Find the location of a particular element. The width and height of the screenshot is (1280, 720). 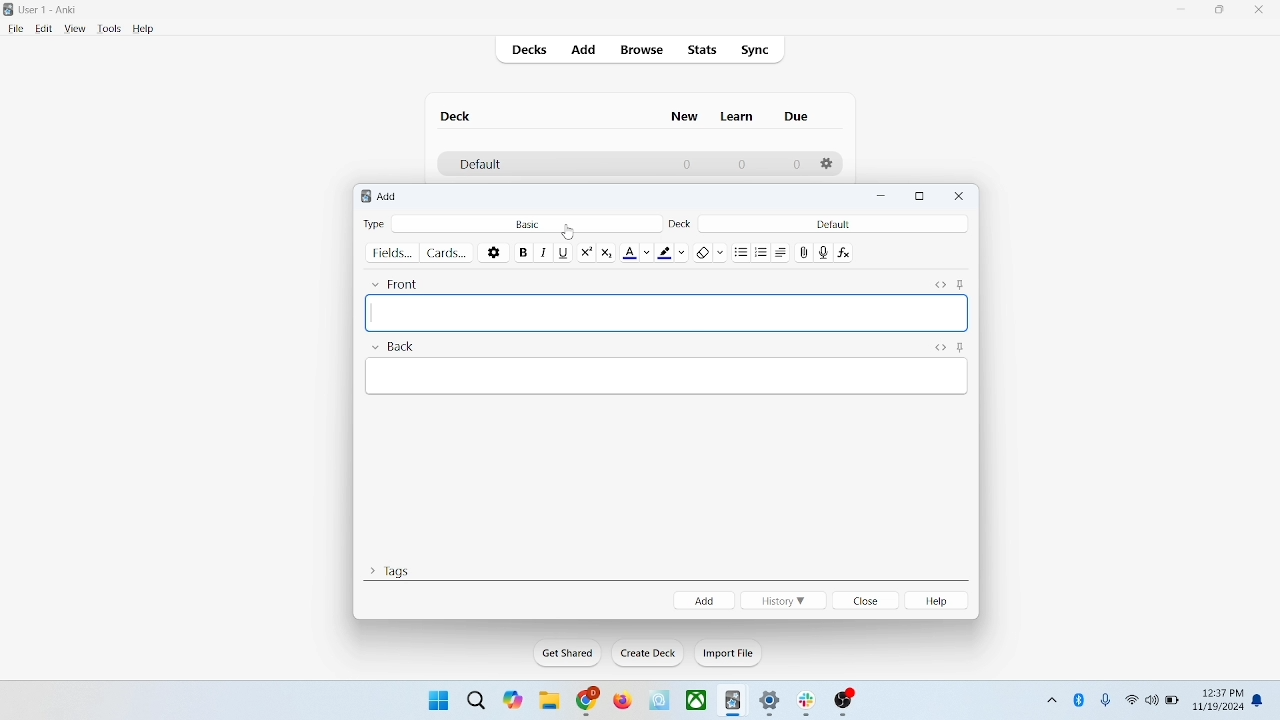

icon is located at coordinates (810, 704).